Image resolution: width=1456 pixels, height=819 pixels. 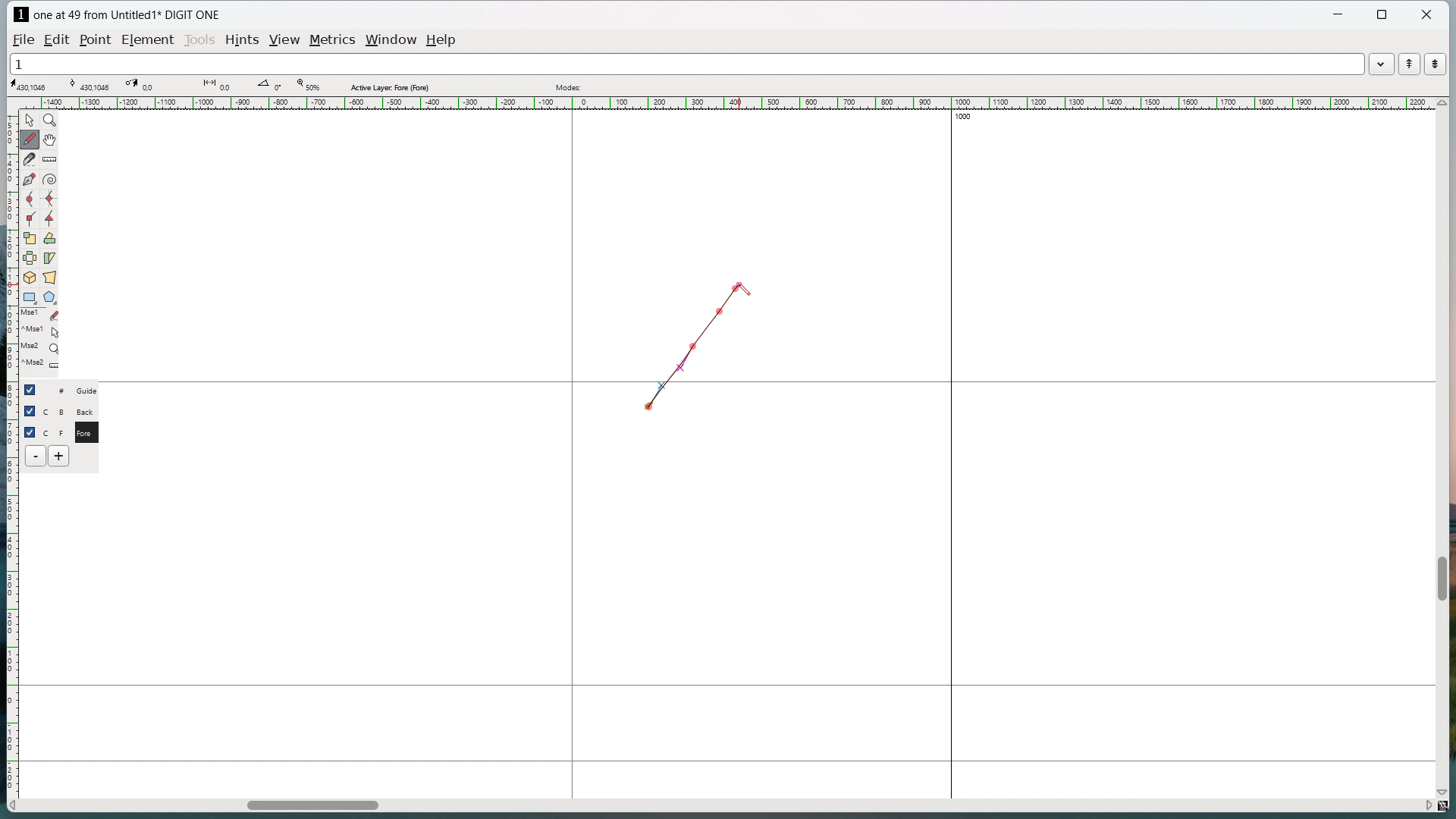 I want to click on view, so click(x=286, y=40).